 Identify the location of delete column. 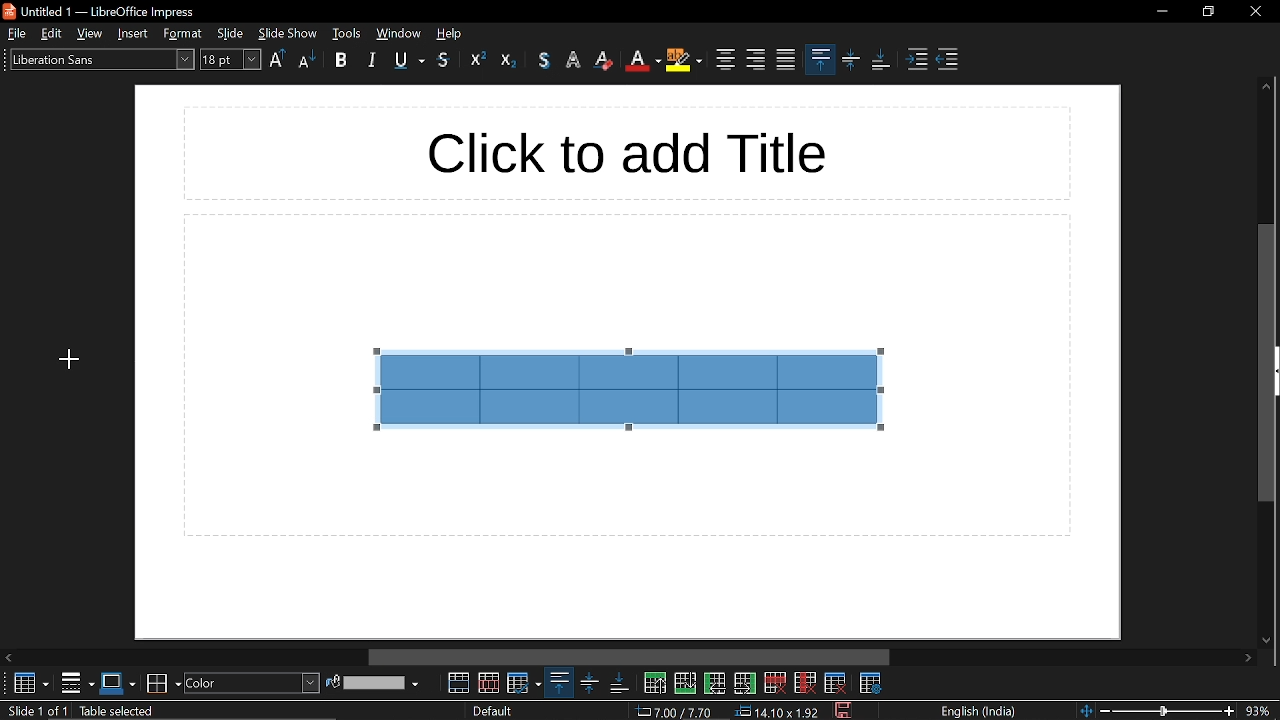
(803, 682).